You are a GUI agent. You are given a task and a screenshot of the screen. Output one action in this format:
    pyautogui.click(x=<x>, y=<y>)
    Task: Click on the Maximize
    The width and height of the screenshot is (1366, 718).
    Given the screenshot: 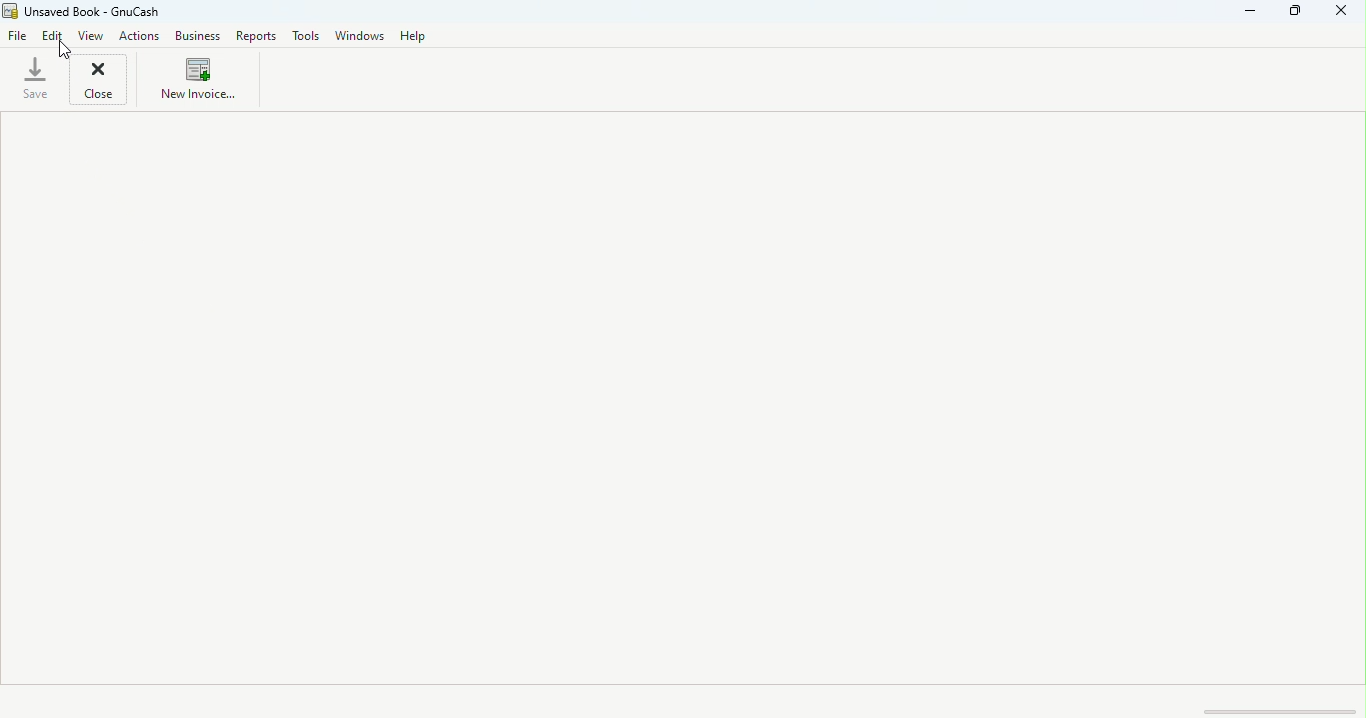 What is the action you would take?
    pyautogui.click(x=1301, y=15)
    